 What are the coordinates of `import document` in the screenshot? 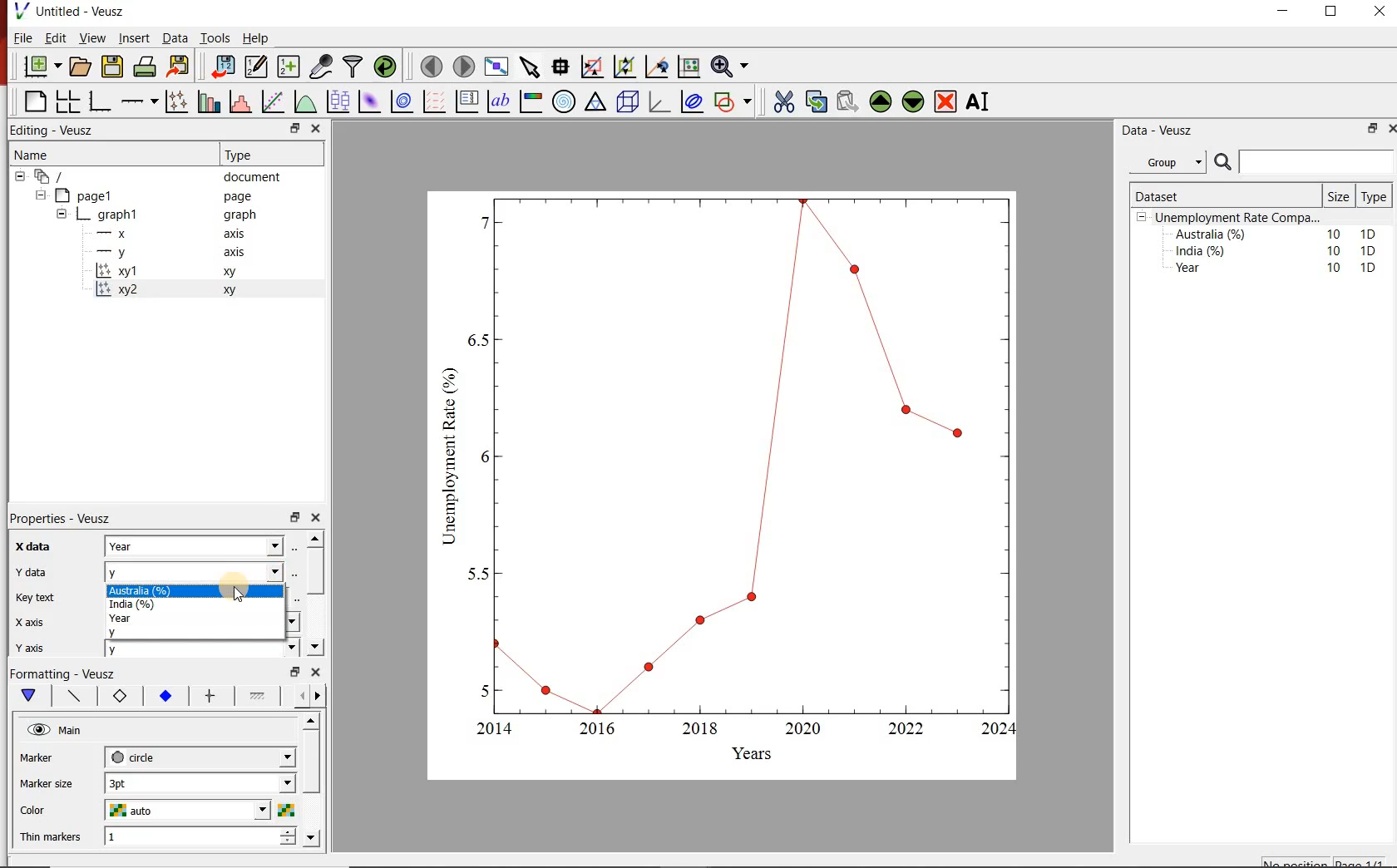 It's located at (225, 65).